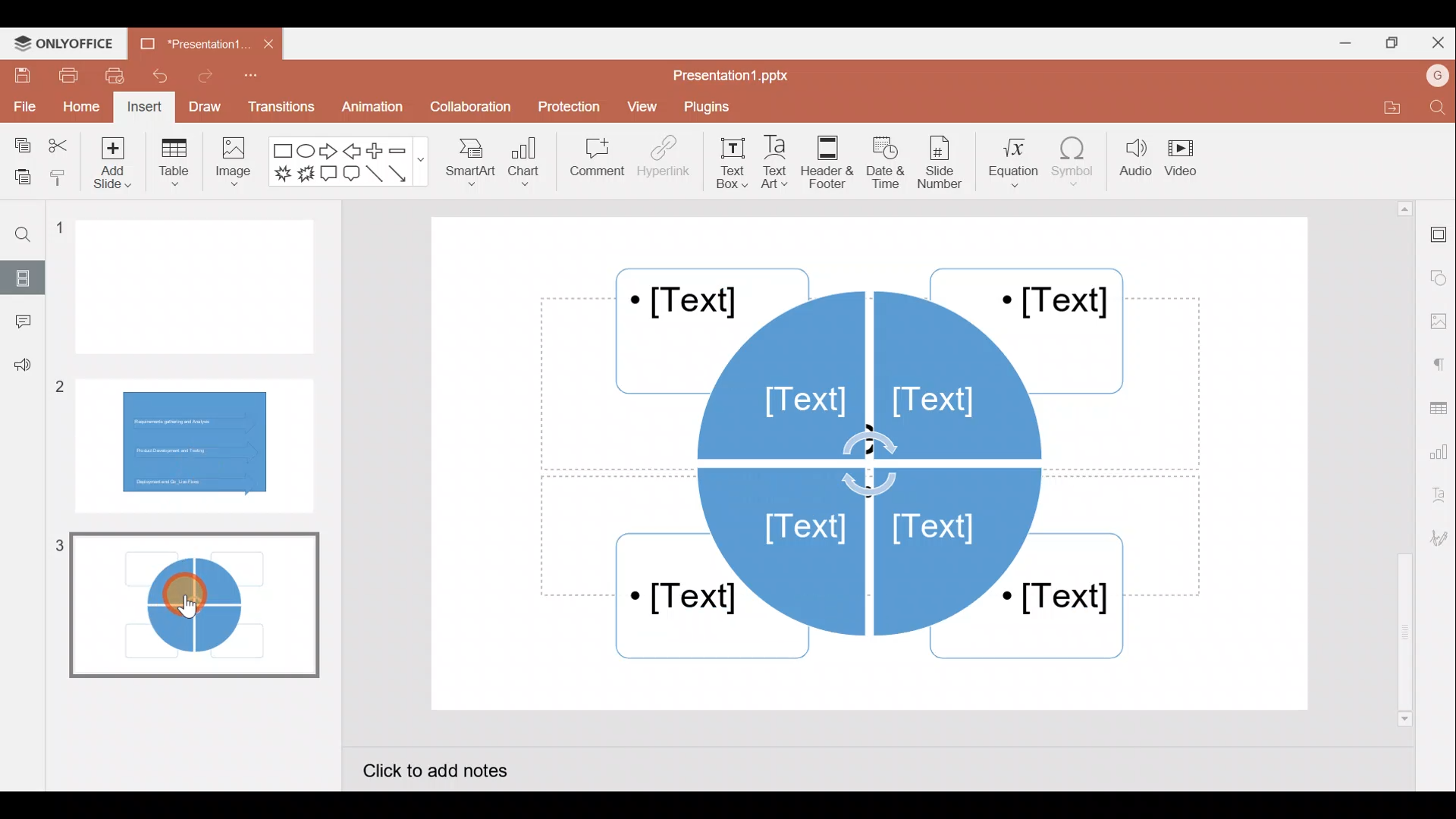 The width and height of the screenshot is (1456, 819). Describe the element at coordinates (469, 107) in the screenshot. I see `Collaboration` at that location.